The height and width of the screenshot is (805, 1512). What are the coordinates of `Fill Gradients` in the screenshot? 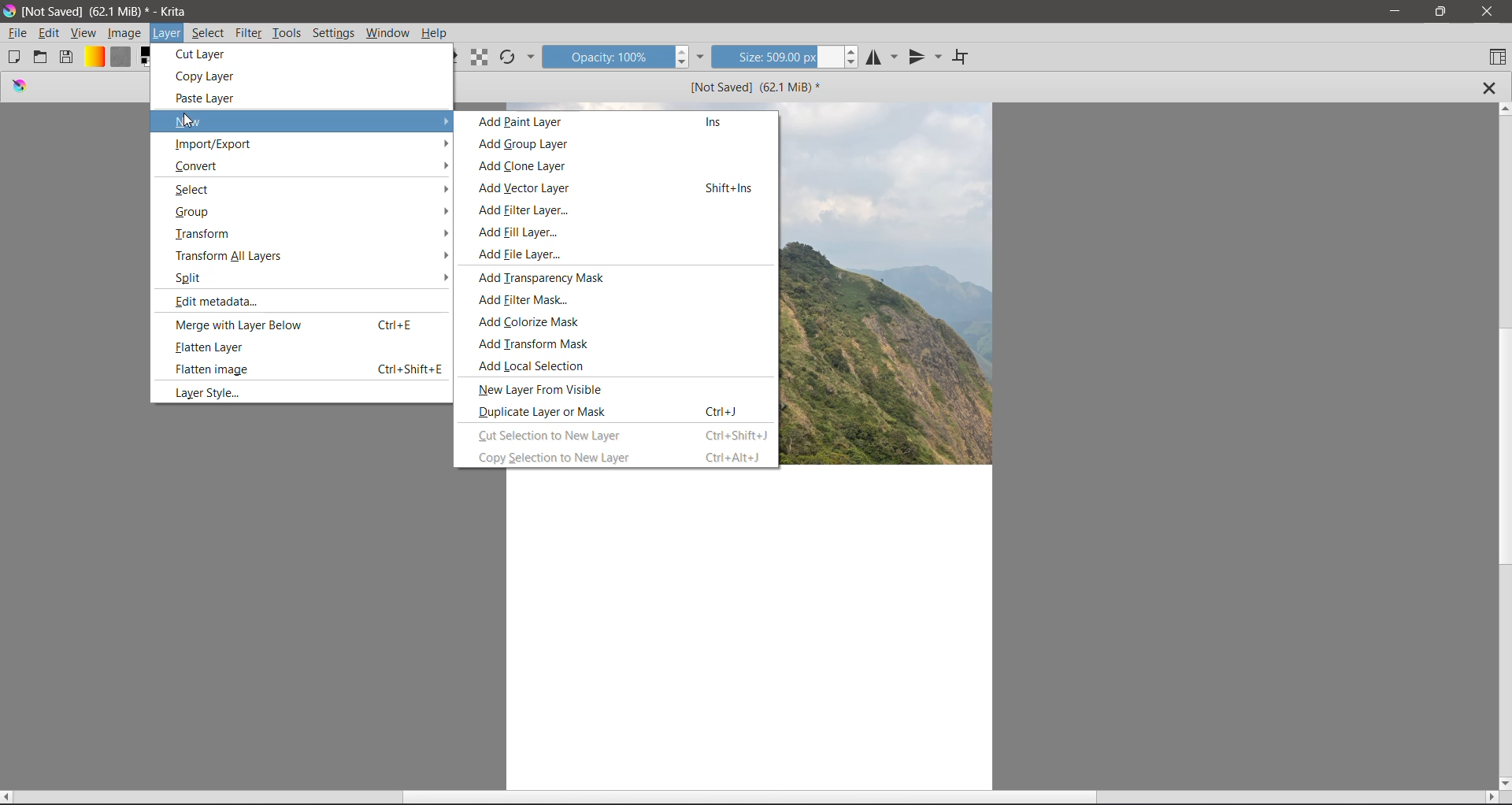 It's located at (95, 57).